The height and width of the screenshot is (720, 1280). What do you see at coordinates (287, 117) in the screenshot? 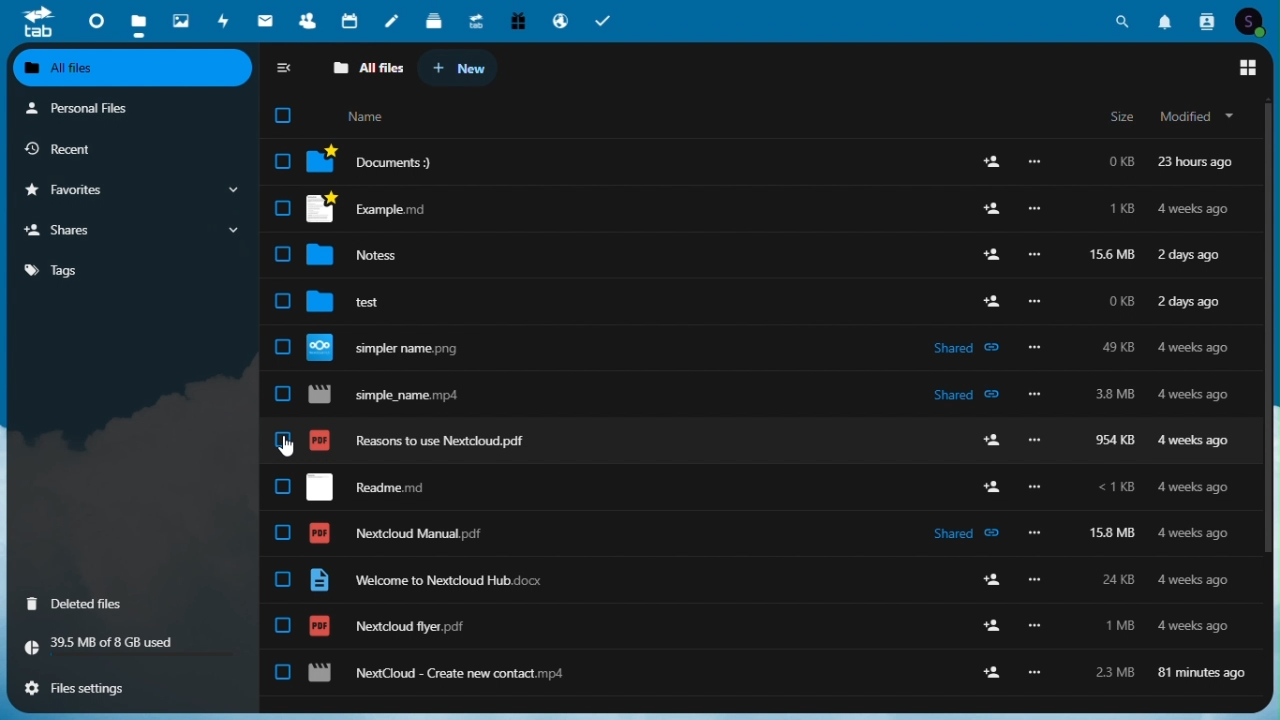
I see `checkbox` at bounding box center [287, 117].